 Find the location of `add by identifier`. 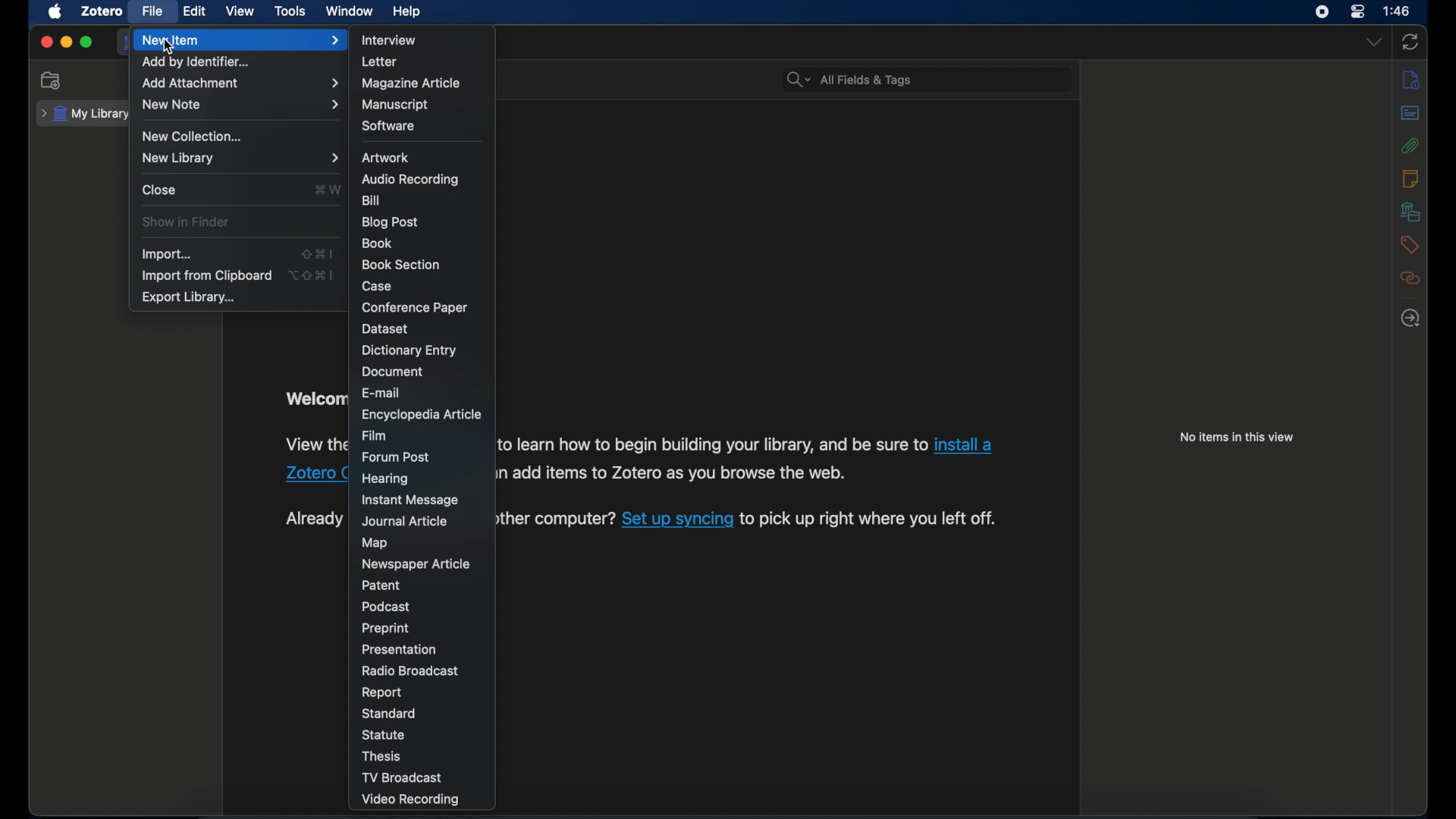

add by identifier is located at coordinates (197, 63).